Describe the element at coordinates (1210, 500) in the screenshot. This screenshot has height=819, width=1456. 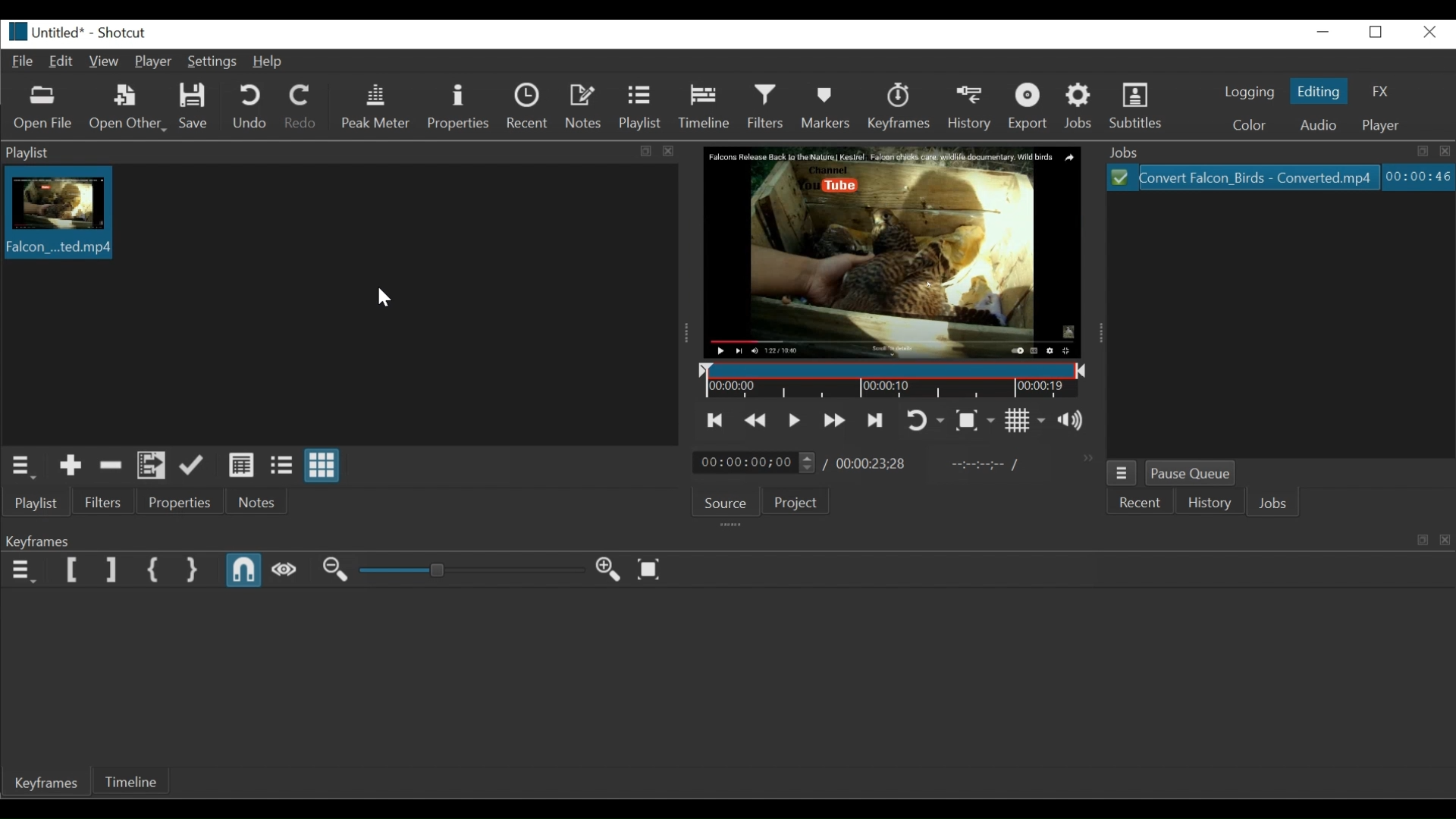
I see `History` at that location.